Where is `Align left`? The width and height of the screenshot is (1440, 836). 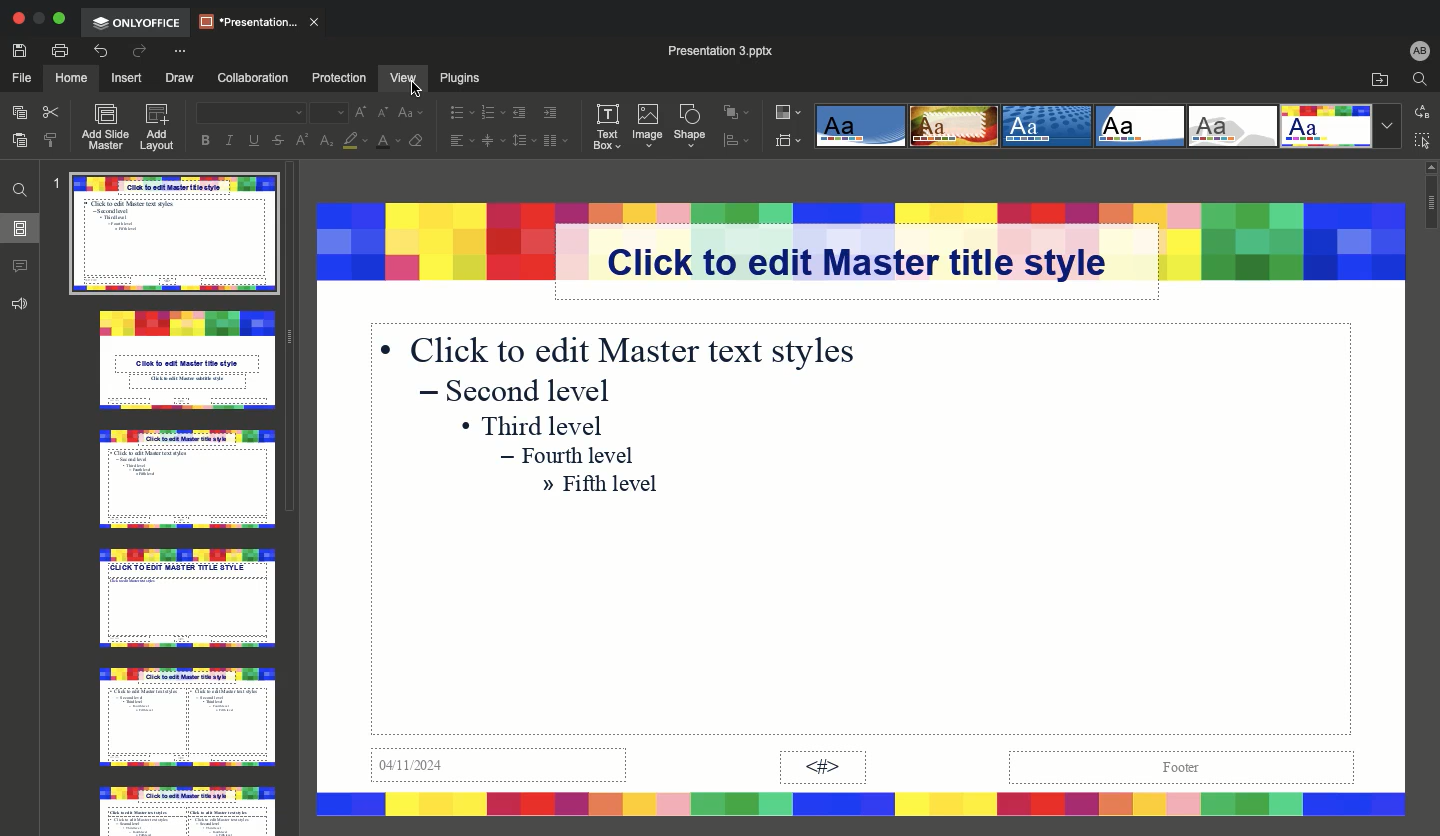
Align left is located at coordinates (460, 141).